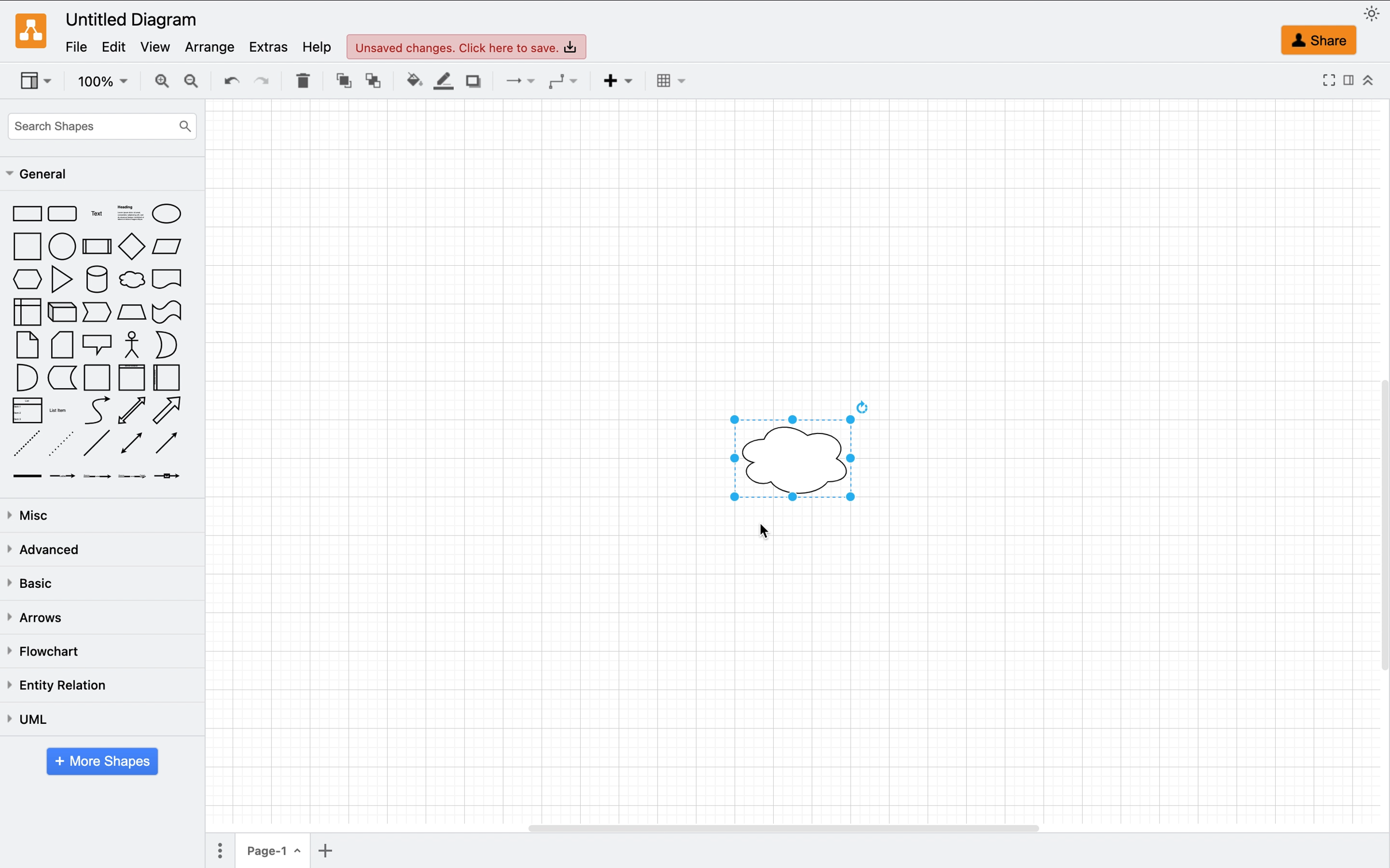 The width and height of the screenshot is (1390, 868). I want to click on vertical page scroll bar, so click(1373, 524).